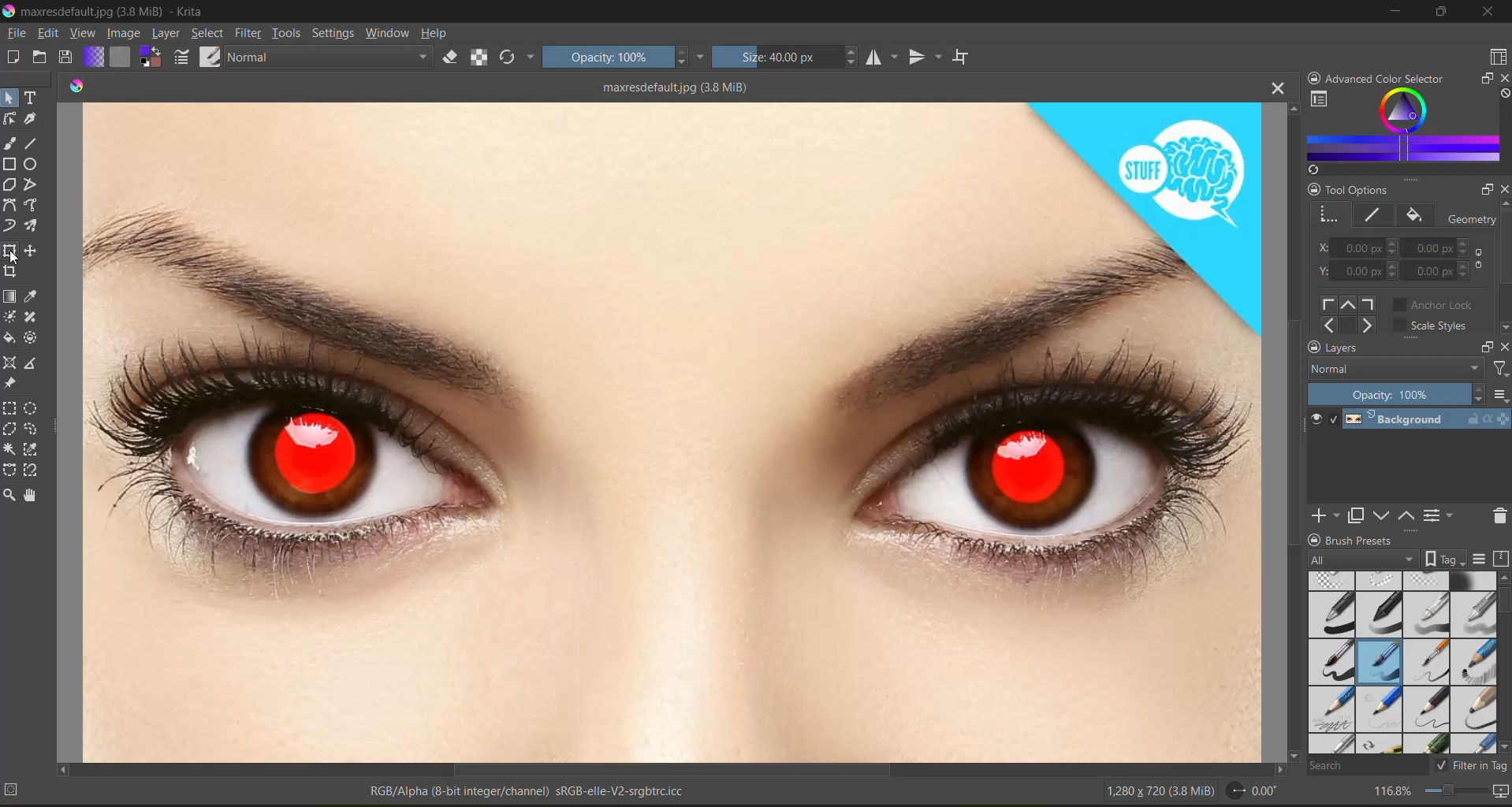 The width and height of the screenshot is (1512, 807). Describe the element at coordinates (13, 272) in the screenshot. I see `tool` at that location.